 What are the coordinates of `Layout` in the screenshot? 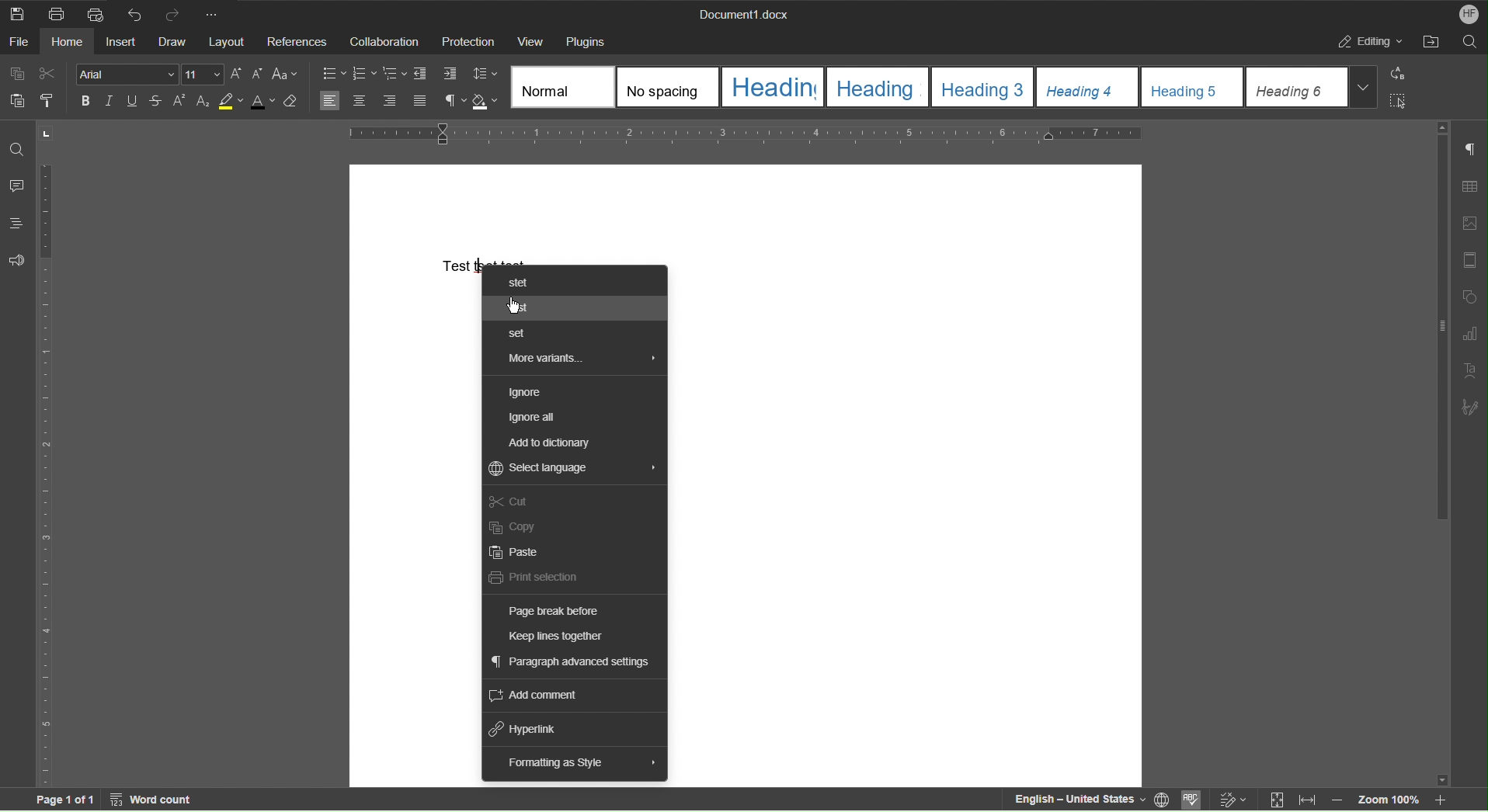 It's located at (228, 41).